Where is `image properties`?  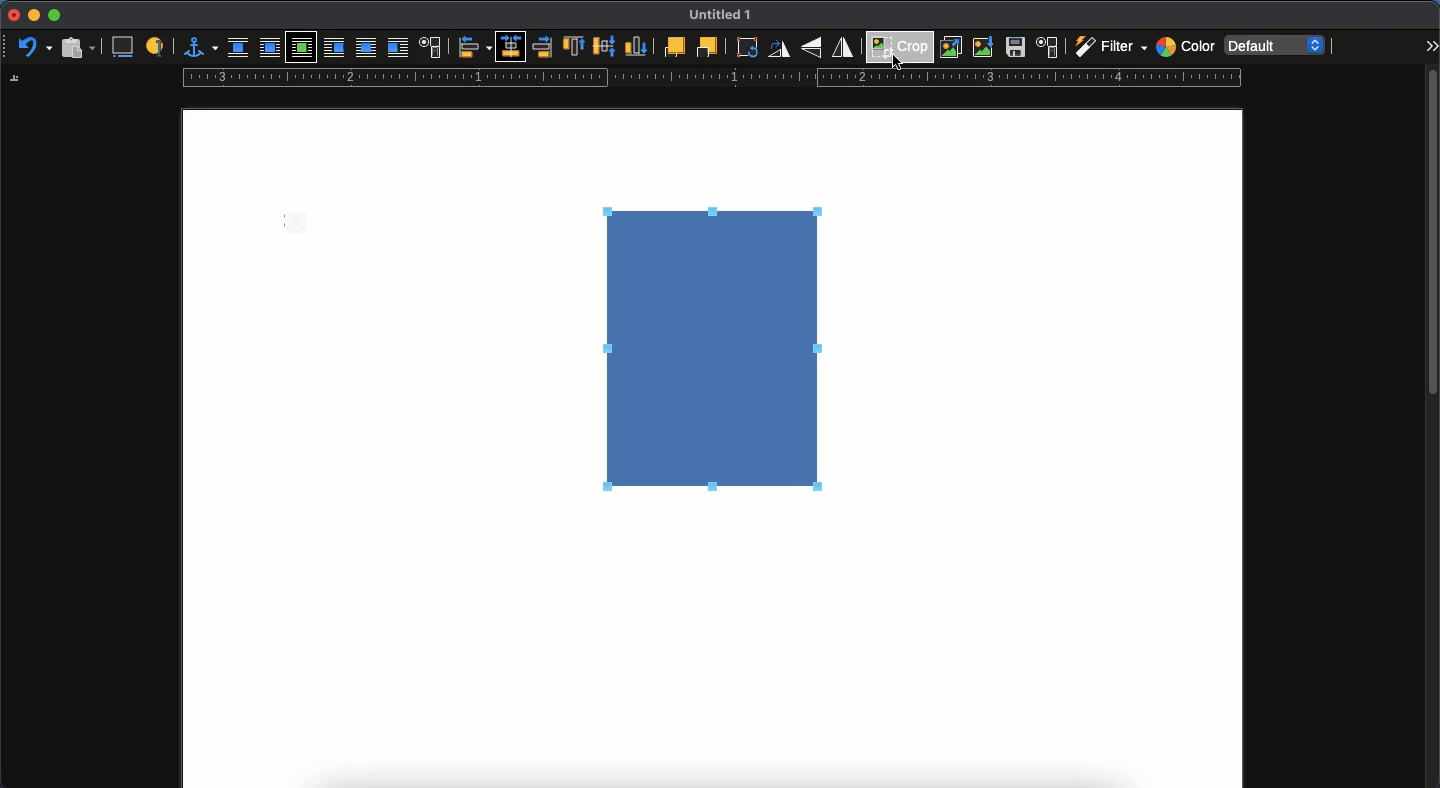 image properties is located at coordinates (1048, 47).